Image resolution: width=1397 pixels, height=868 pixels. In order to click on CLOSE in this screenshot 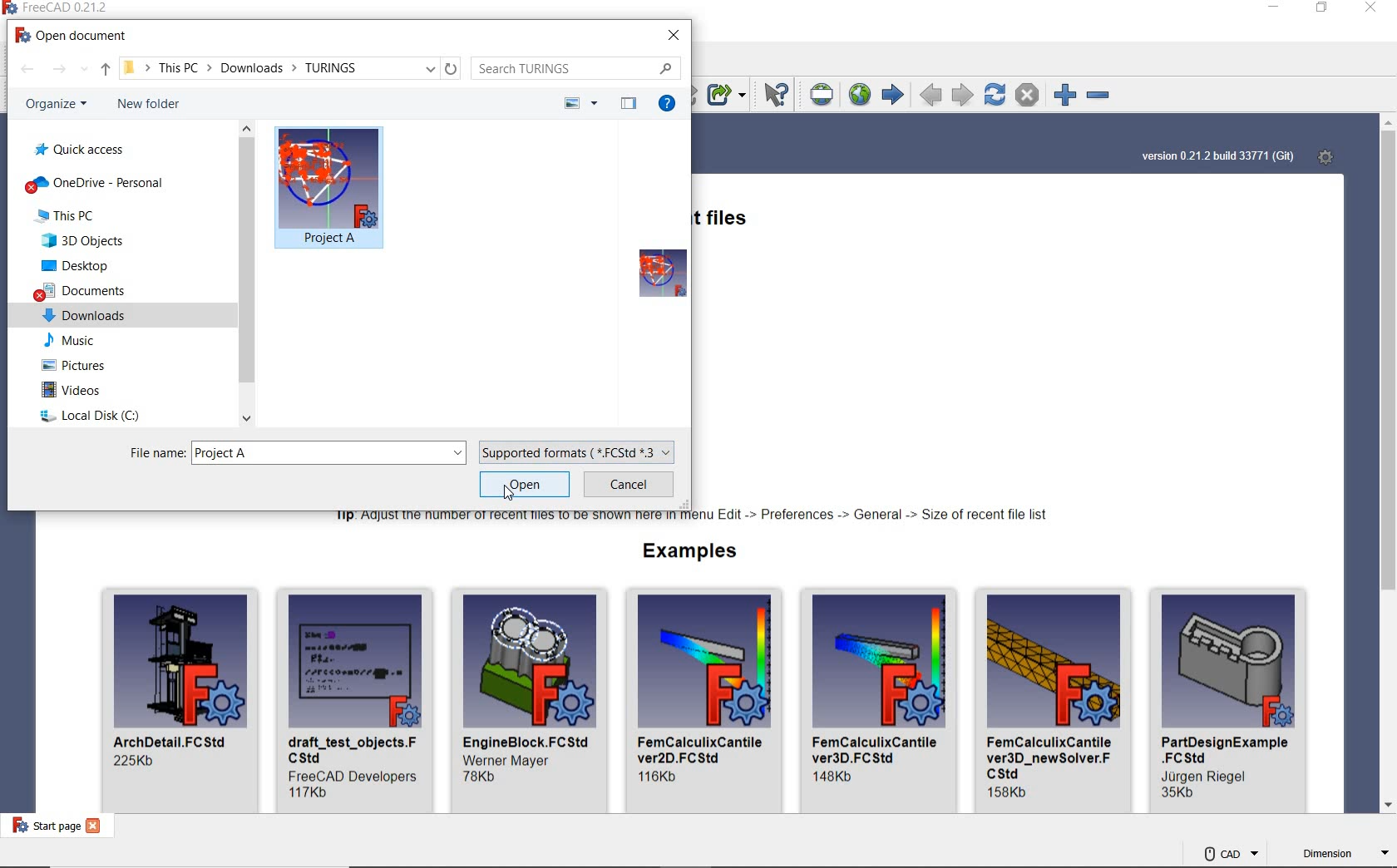, I will do `click(1370, 9)`.